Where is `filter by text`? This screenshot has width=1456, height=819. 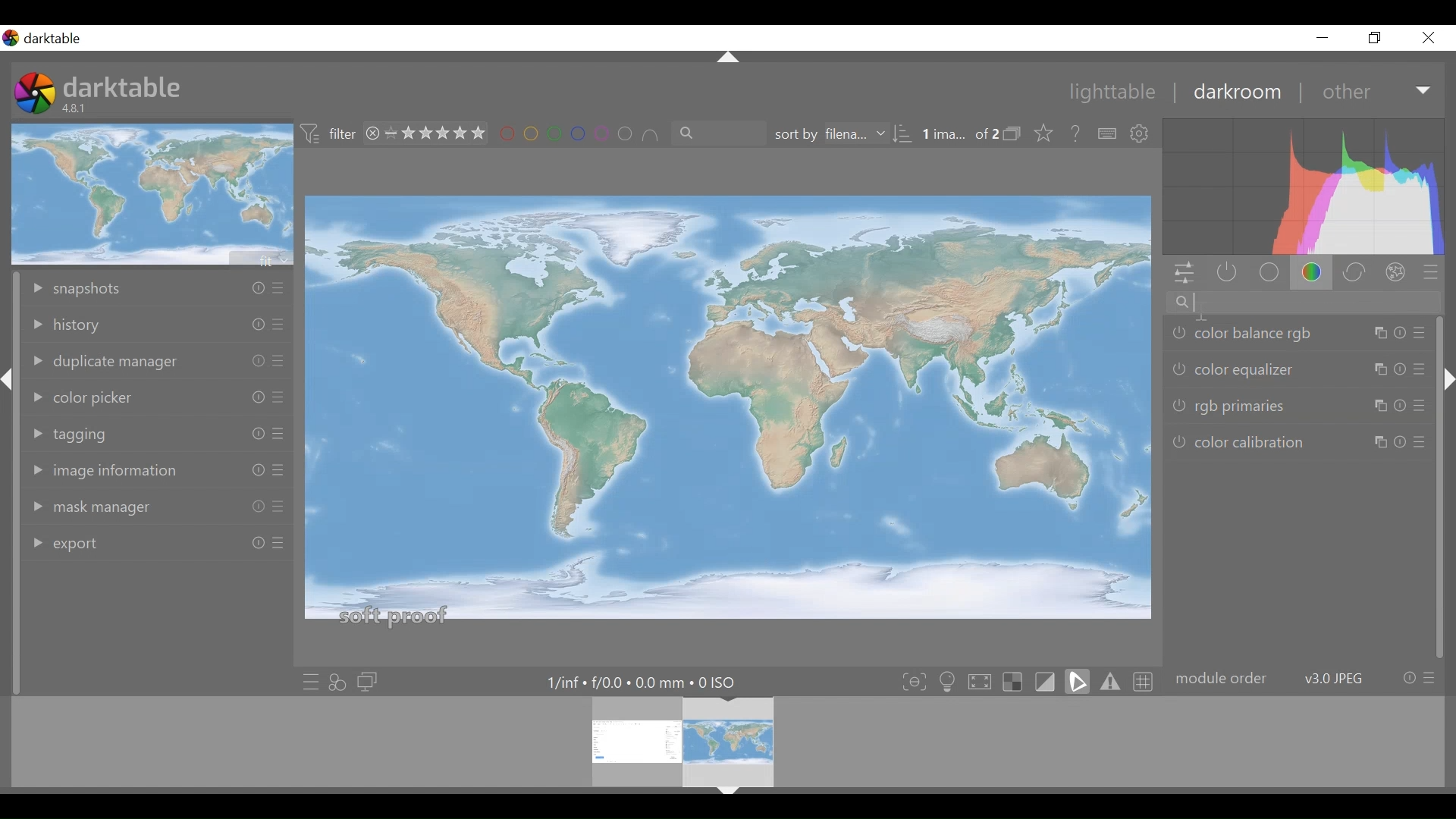 filter by text is located at coordinates (711, 134).